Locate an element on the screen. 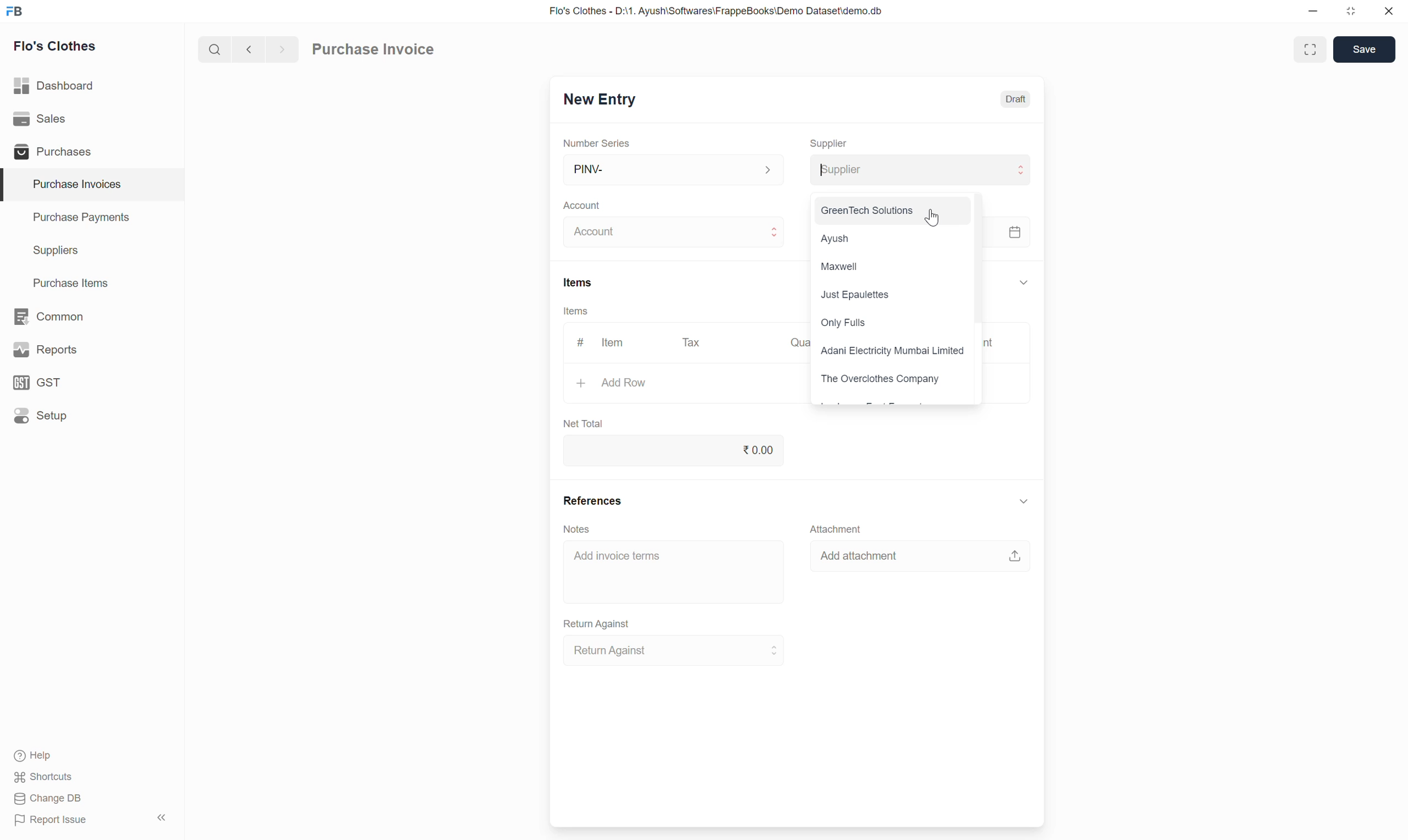 The height and width of the screenshot is (840, 1408). References is located at coordinates (593, 500).